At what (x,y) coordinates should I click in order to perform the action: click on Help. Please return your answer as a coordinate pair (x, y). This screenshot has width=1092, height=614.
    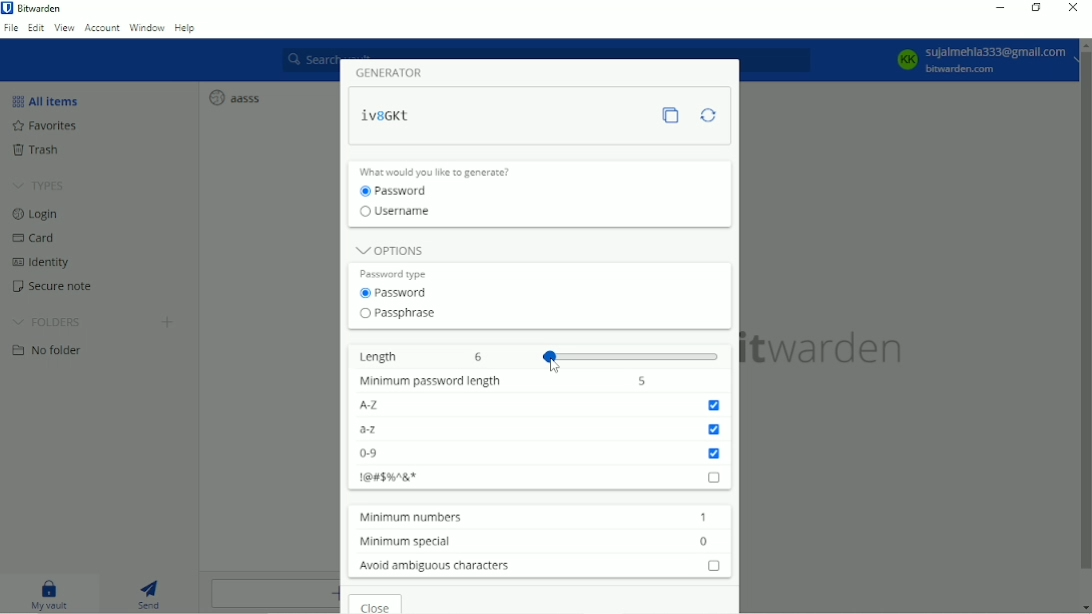
    Looking at the image, I should click on (185, 29).